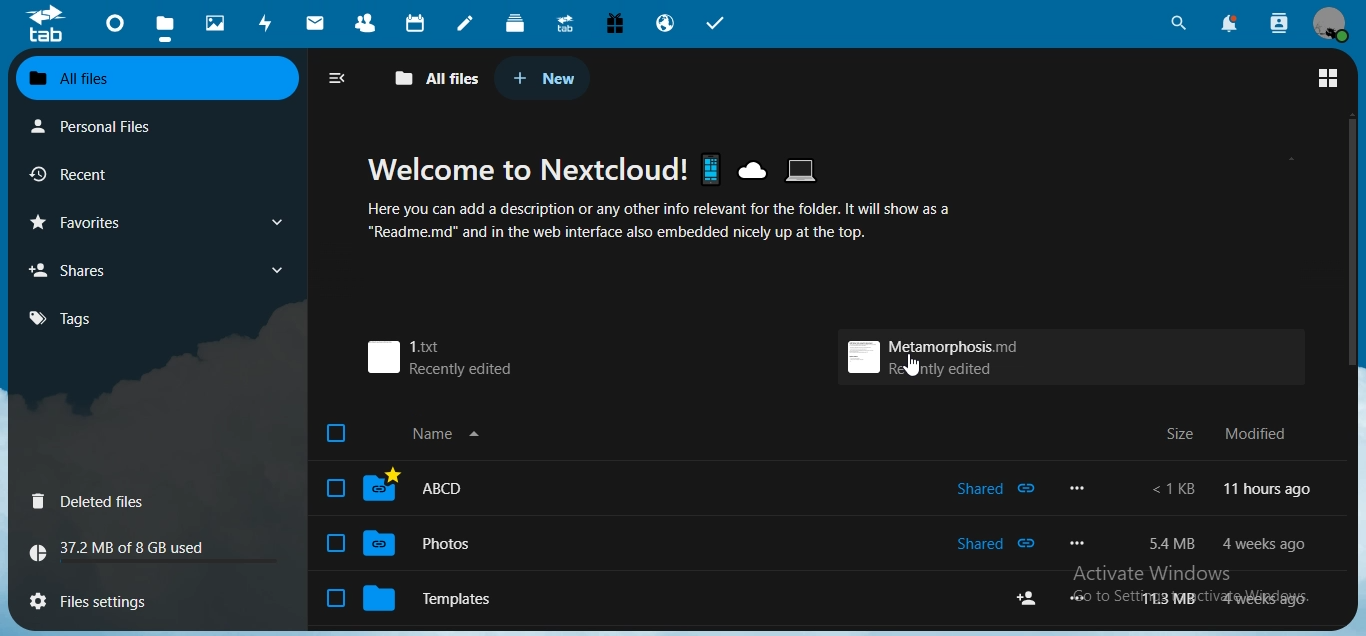 The height and width of the screenshot is (636, 1366). What do you see at coordinates (458, 434) in the screenshot?
I see `name` at bounding box center [458, 434].